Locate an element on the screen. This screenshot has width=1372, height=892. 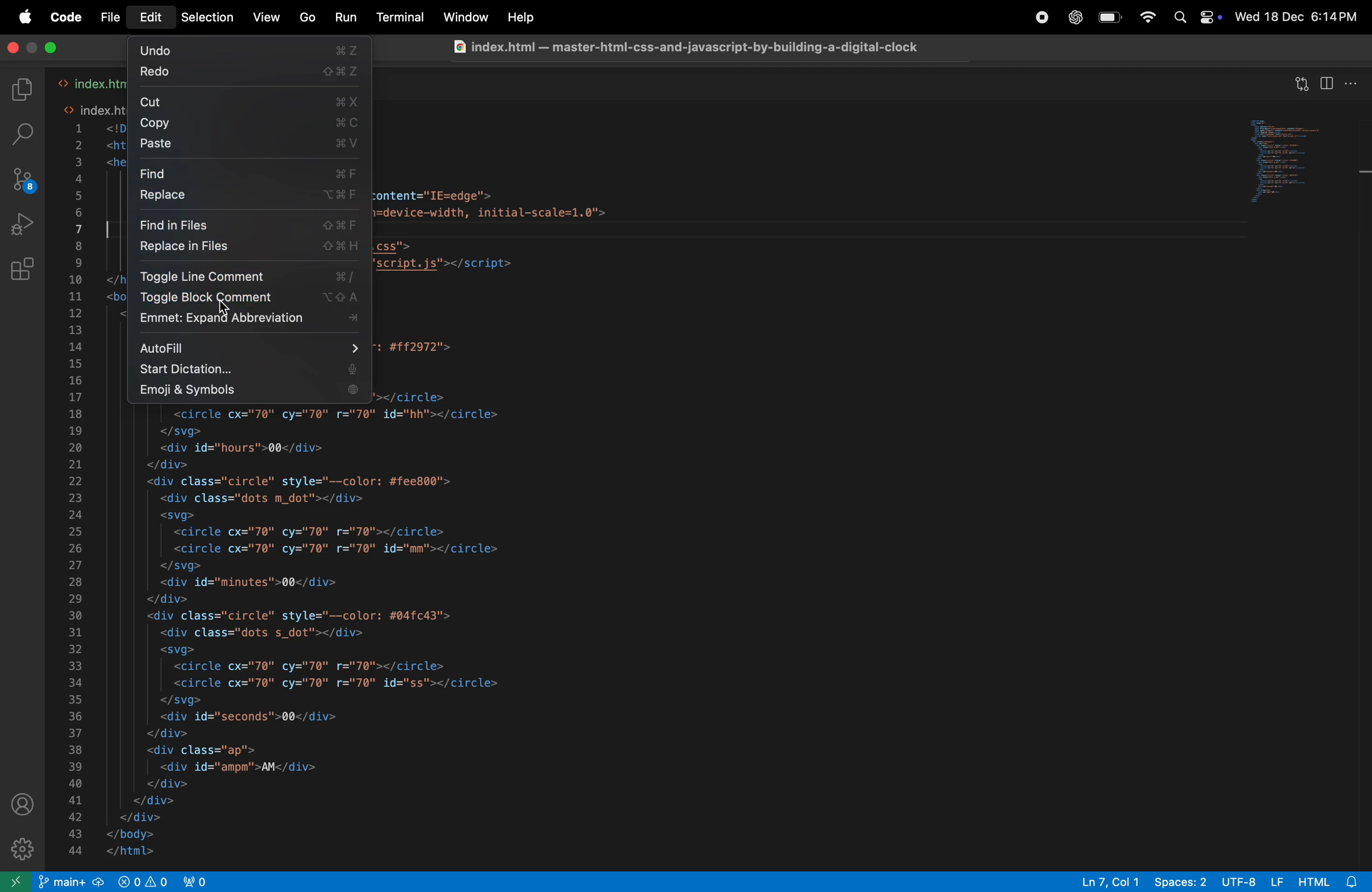
expand abbrevations is located at coordinates (249, 321).